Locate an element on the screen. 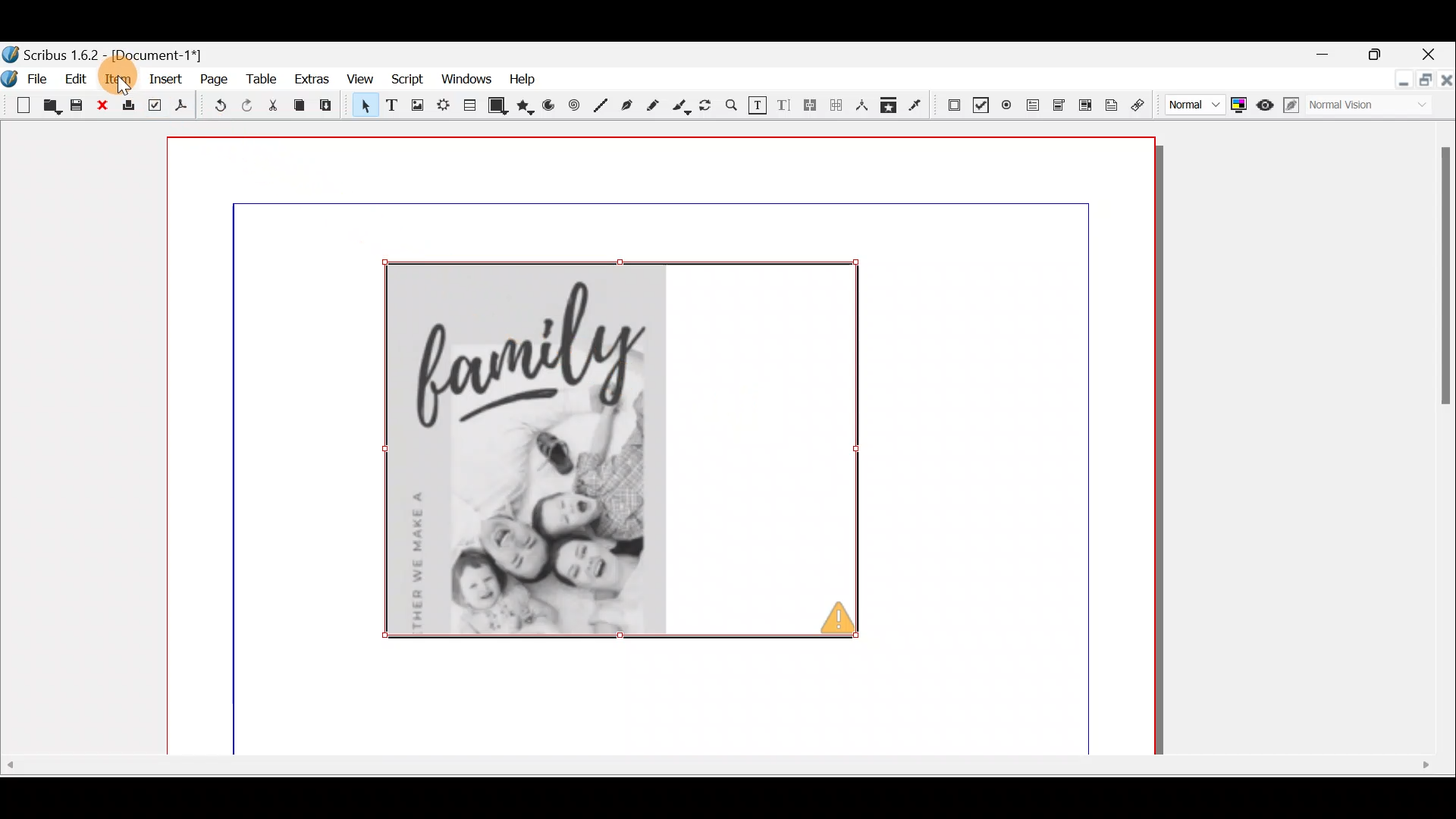  Paste is located at coordinates (331, 109).